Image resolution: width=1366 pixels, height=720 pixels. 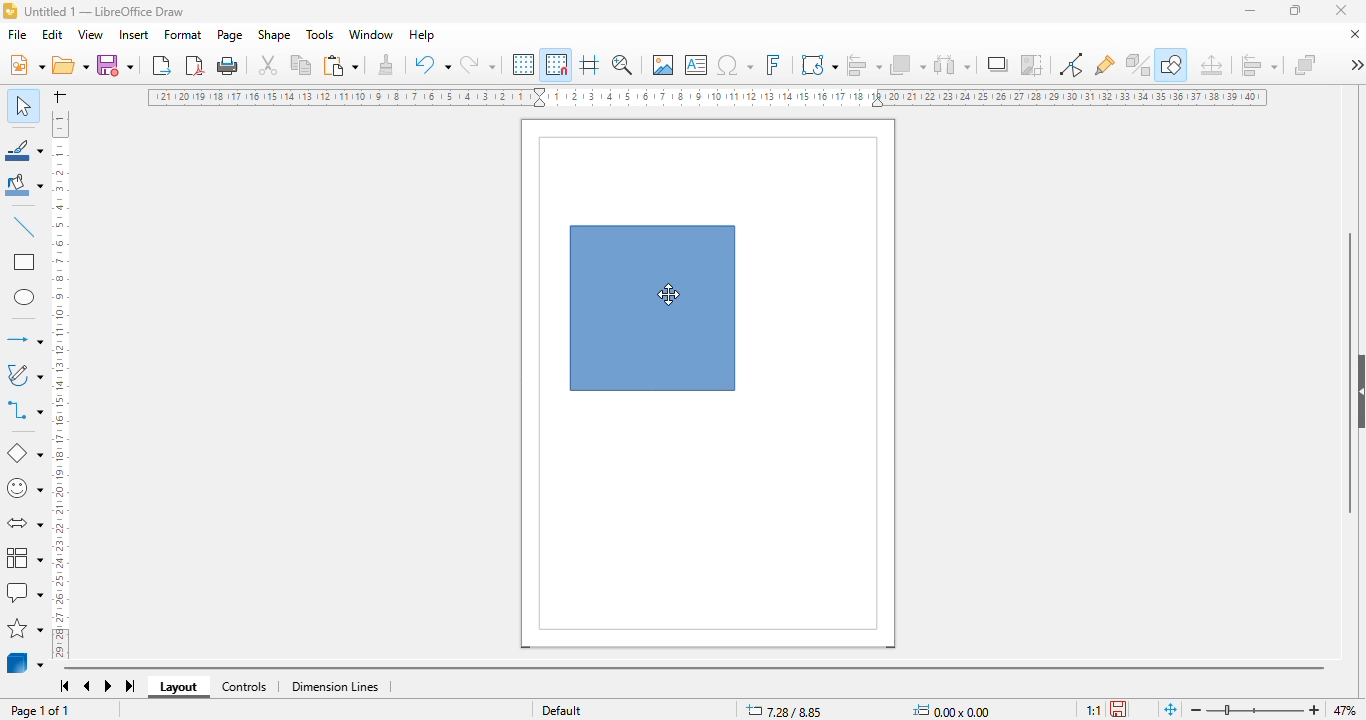 I want to click on scroll to previous sheet, so click(x=87, y=687).